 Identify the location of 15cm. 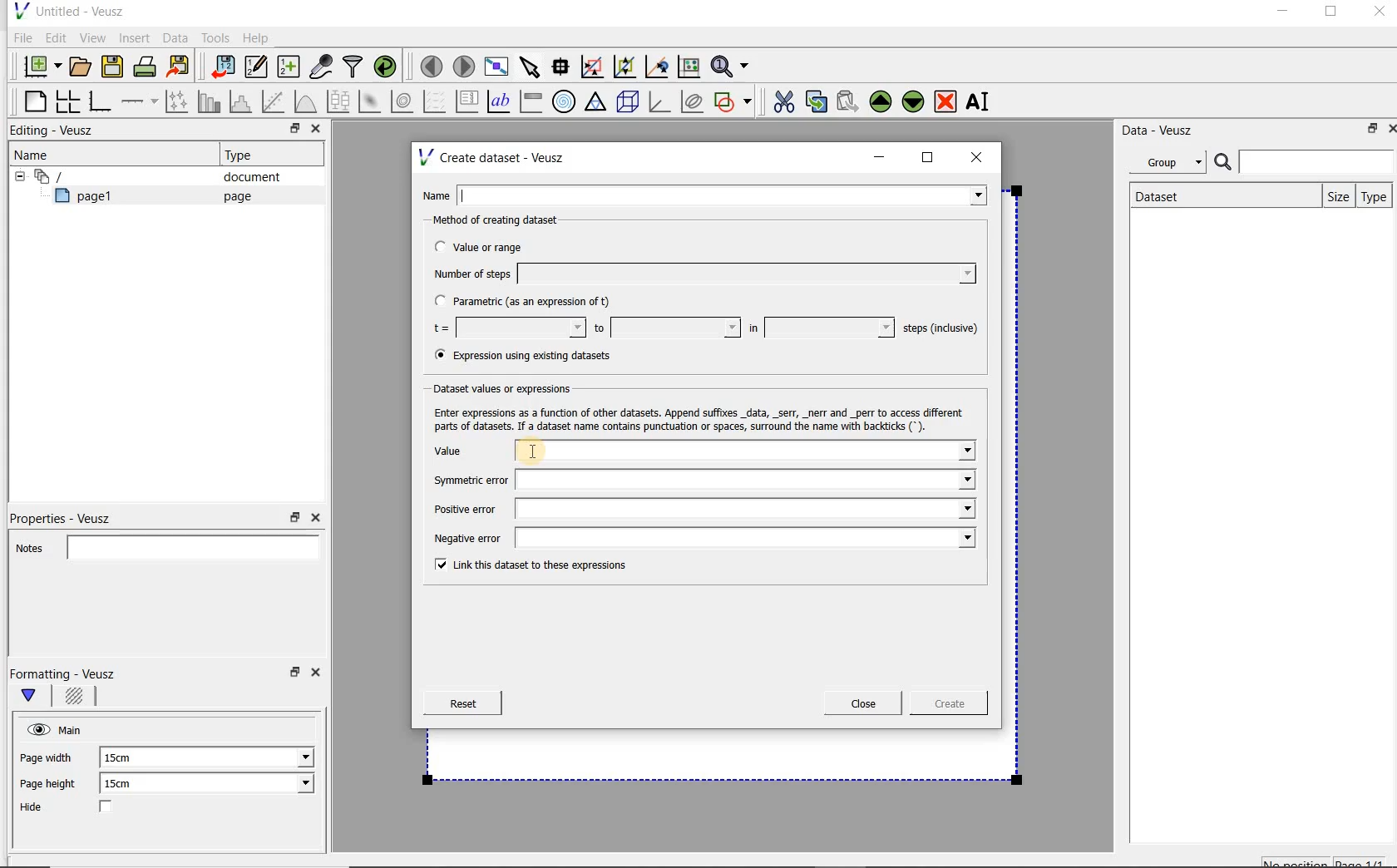
(128, 784).